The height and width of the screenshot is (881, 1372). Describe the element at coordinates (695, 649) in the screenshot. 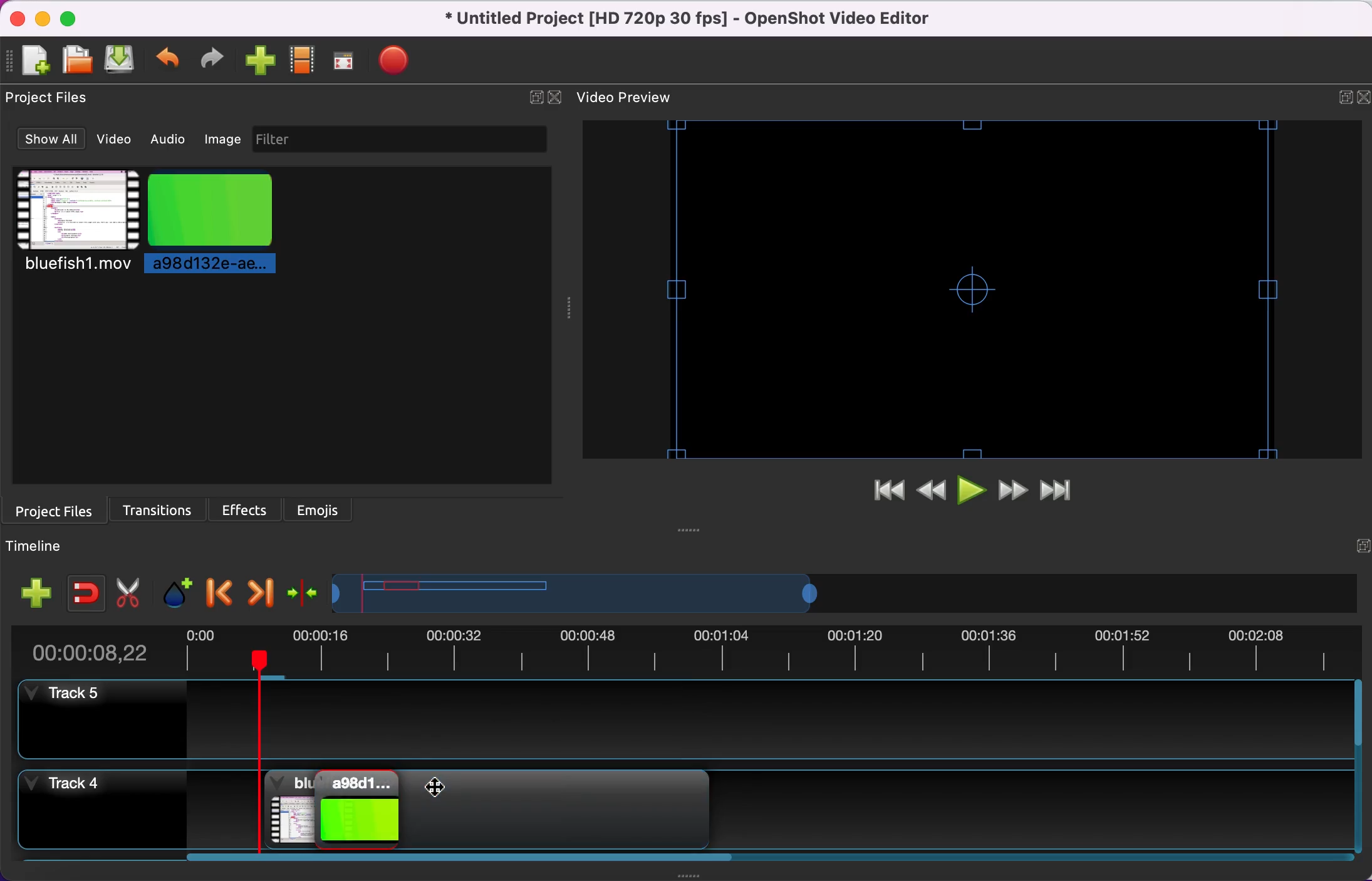

I see `duration` at that location.